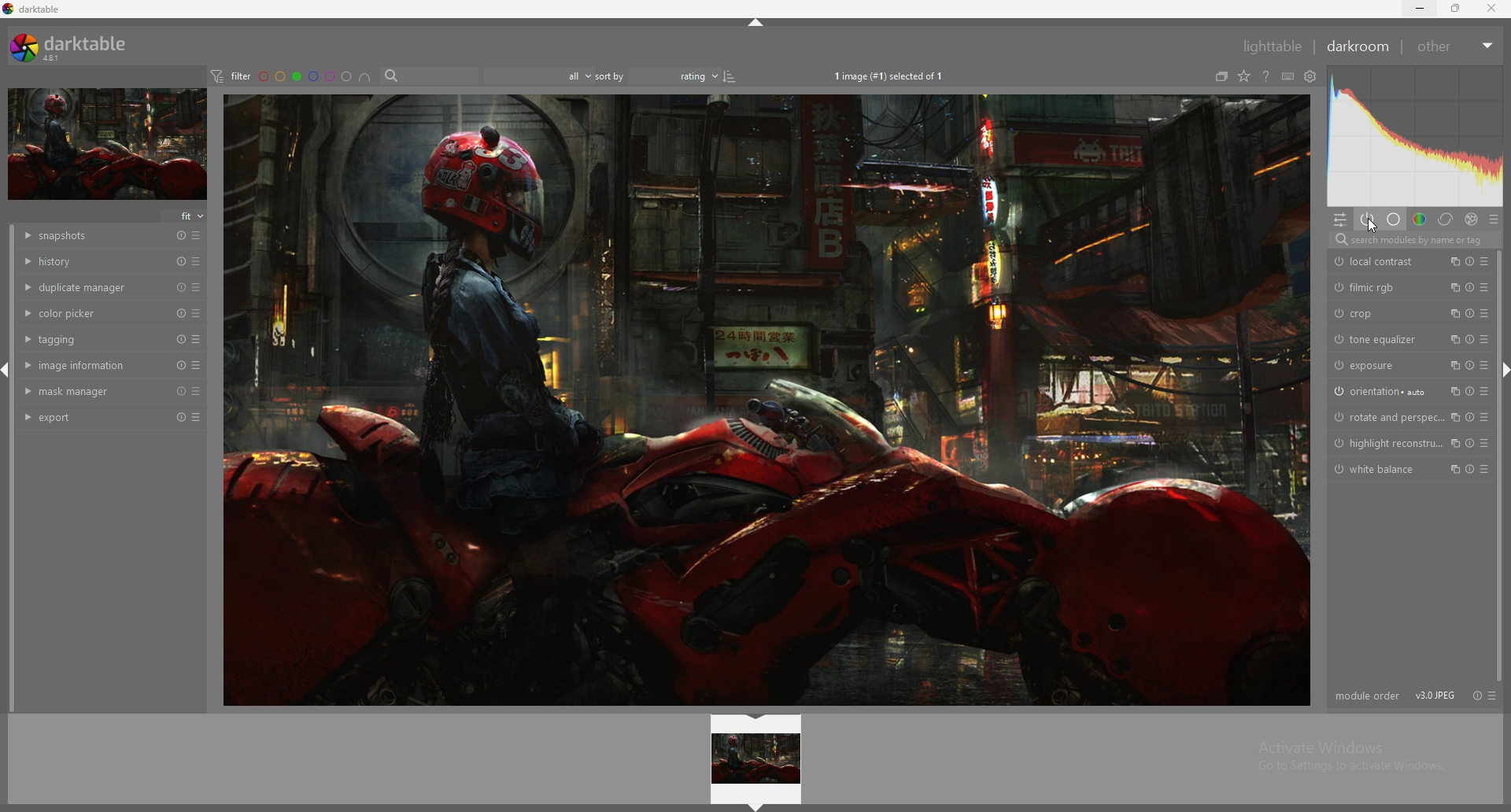  What do you see at coordinates (1383, 469) in the screenshot?
I see `white balance` at bounding box center [1383, 469].